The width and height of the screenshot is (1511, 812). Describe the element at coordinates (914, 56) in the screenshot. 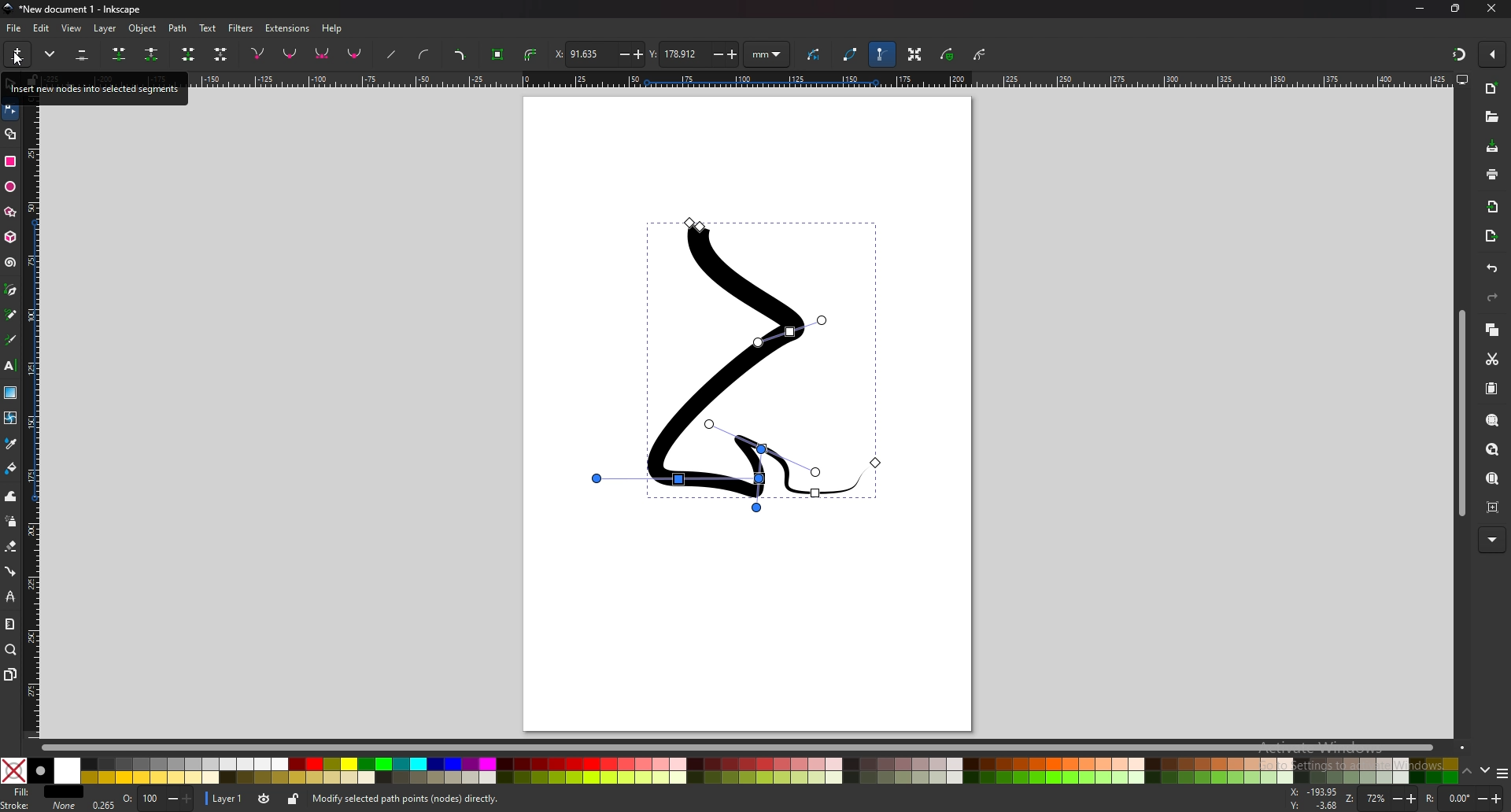

I see `transformation handle` at that location.